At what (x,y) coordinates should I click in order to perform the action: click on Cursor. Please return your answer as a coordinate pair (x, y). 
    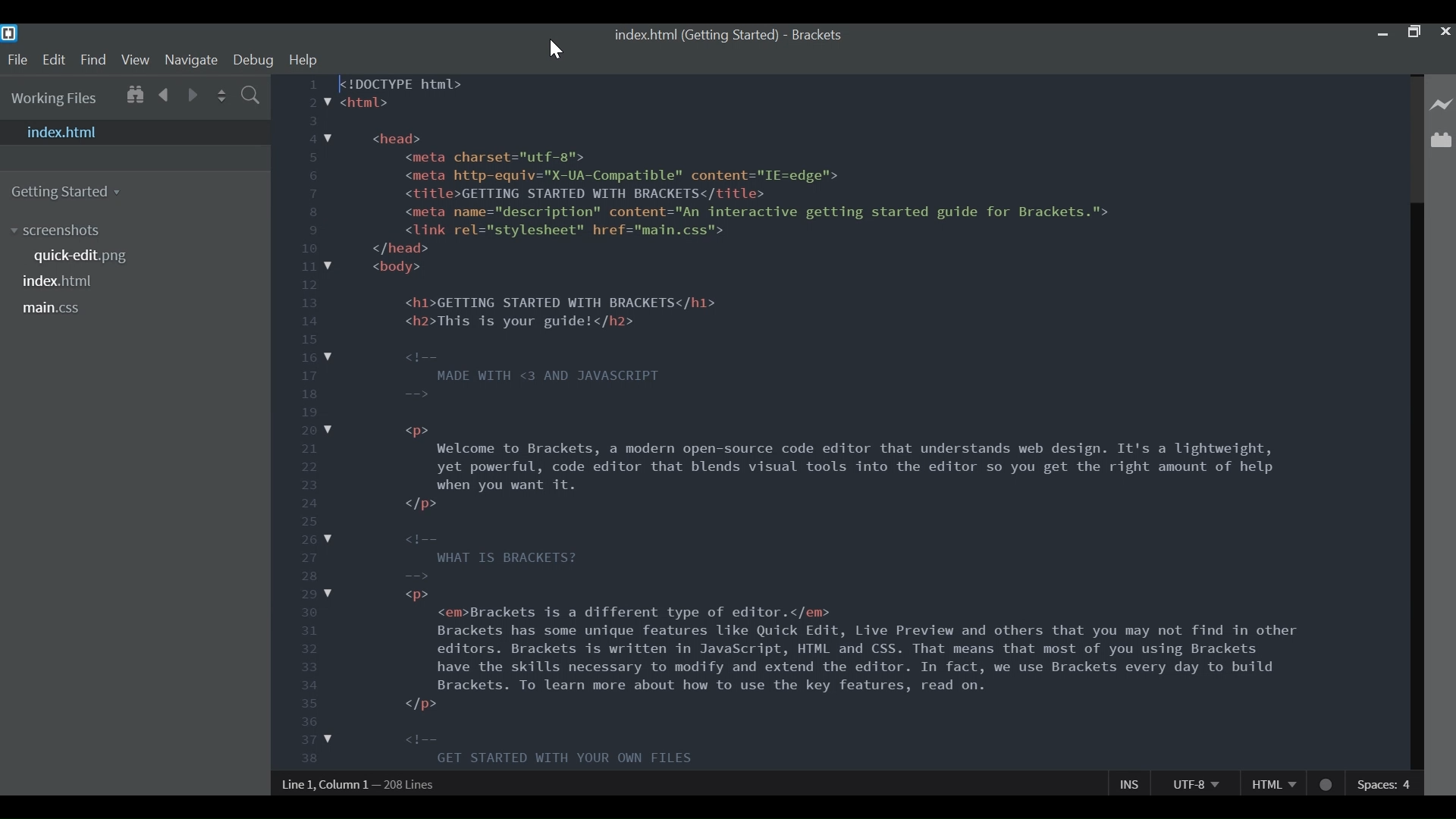
    Looking at the image, I should click on (557, 50).